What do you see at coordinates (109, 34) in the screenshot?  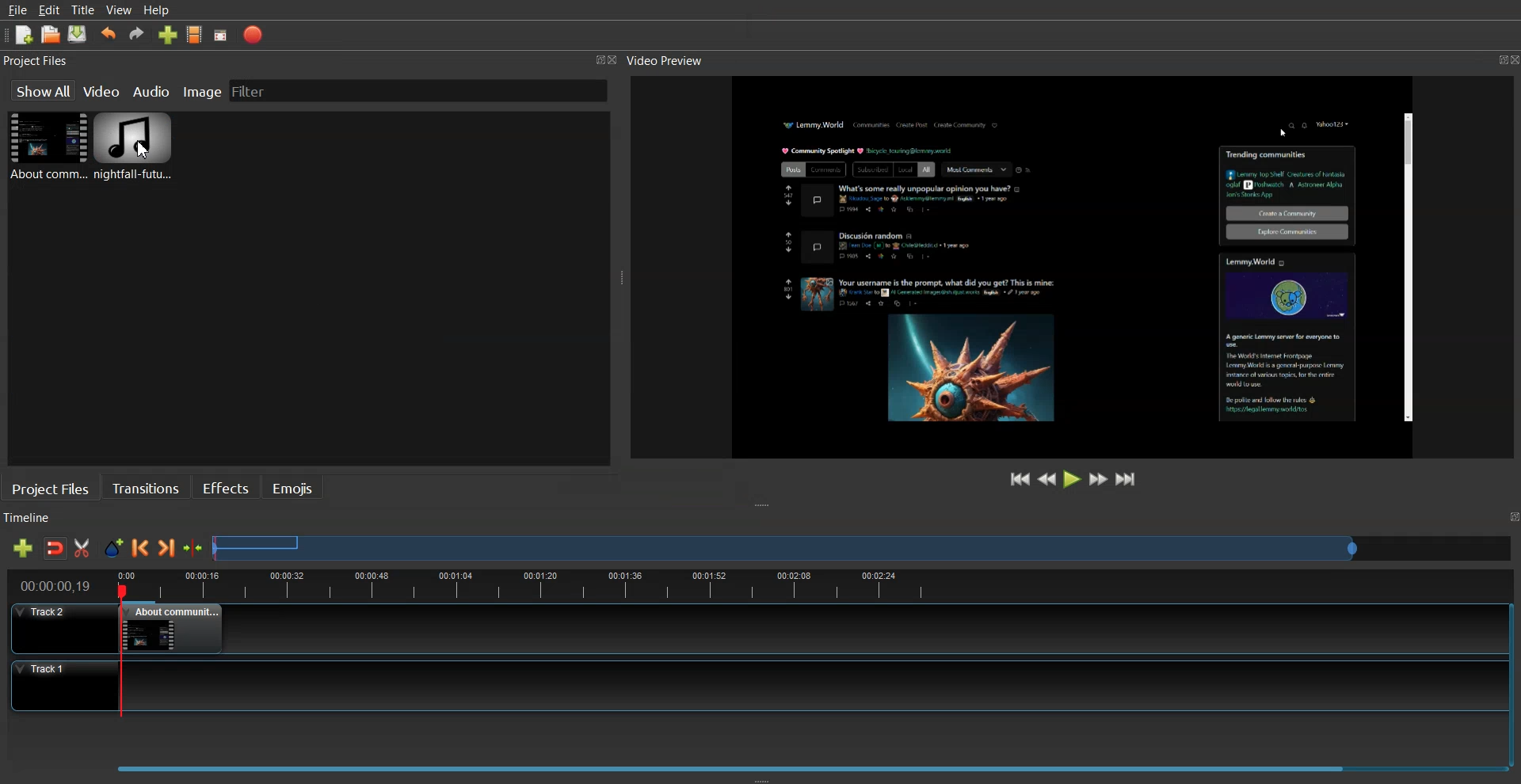 I see `Undo` at bounding box center [109, 34].